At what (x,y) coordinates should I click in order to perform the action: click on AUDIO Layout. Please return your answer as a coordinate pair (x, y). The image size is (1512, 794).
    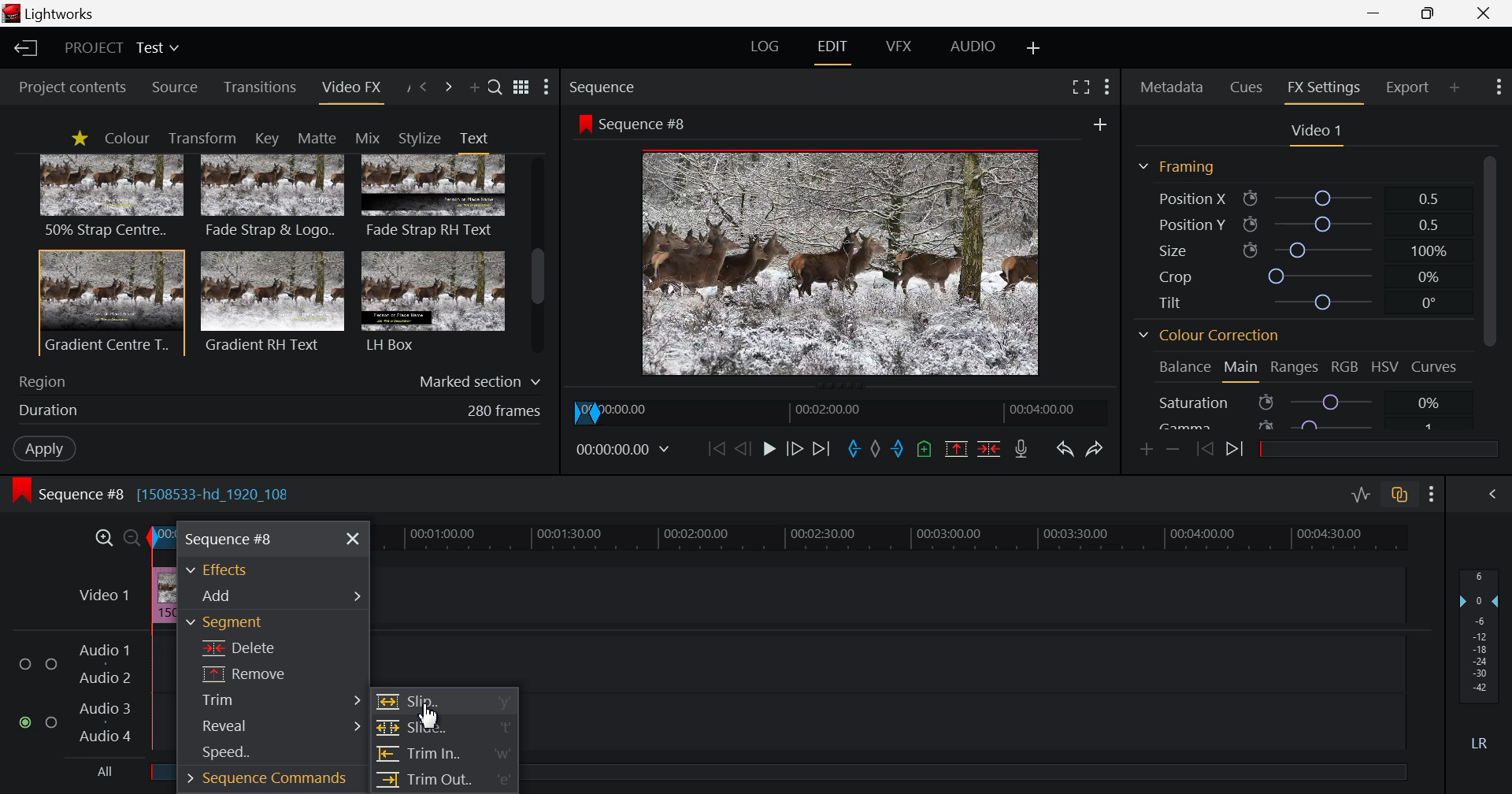
    Looking at the image, I should click on (978, 45).